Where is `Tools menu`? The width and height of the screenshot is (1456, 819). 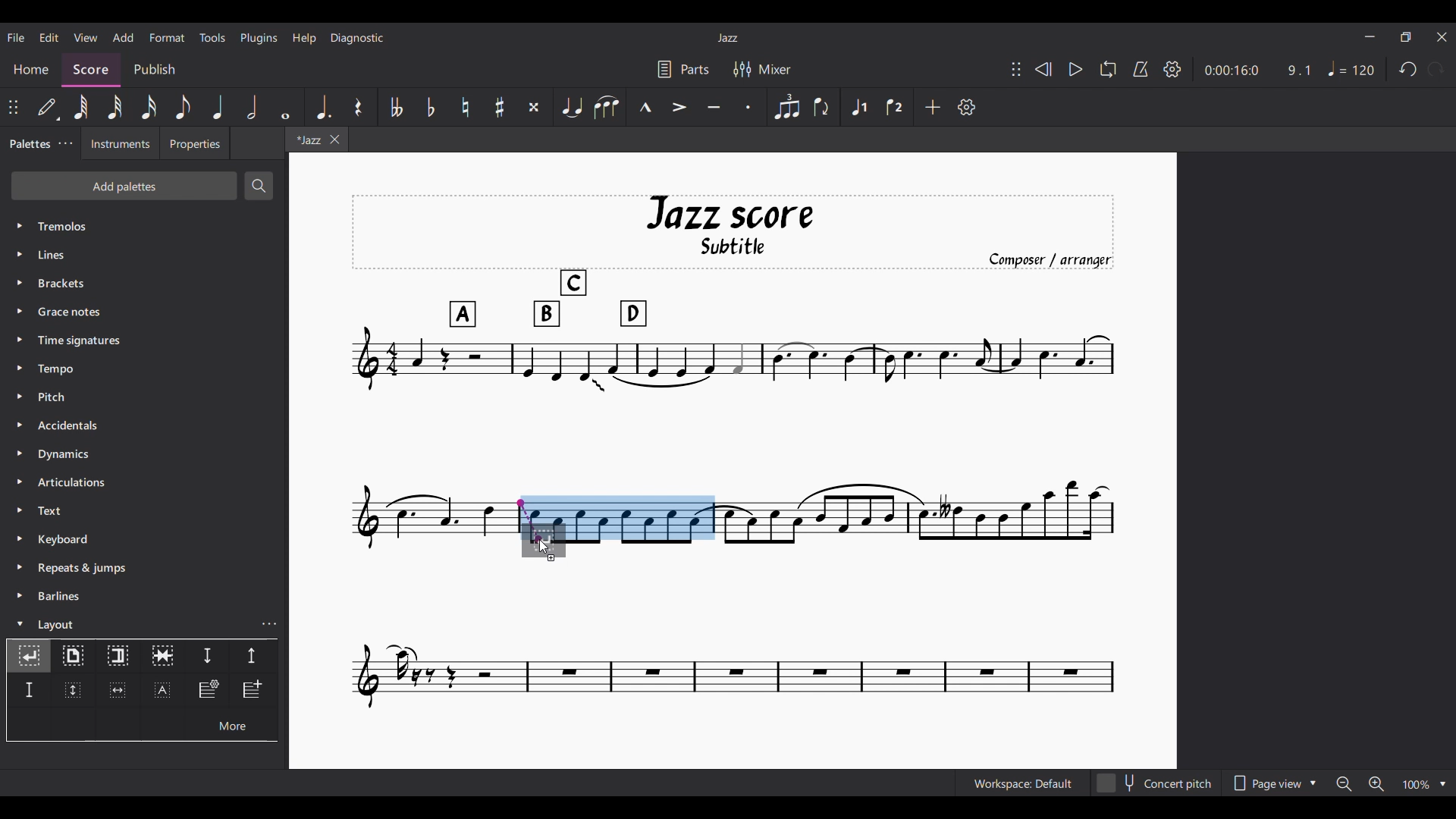 Tools menu is located at coordinates (212, 37).